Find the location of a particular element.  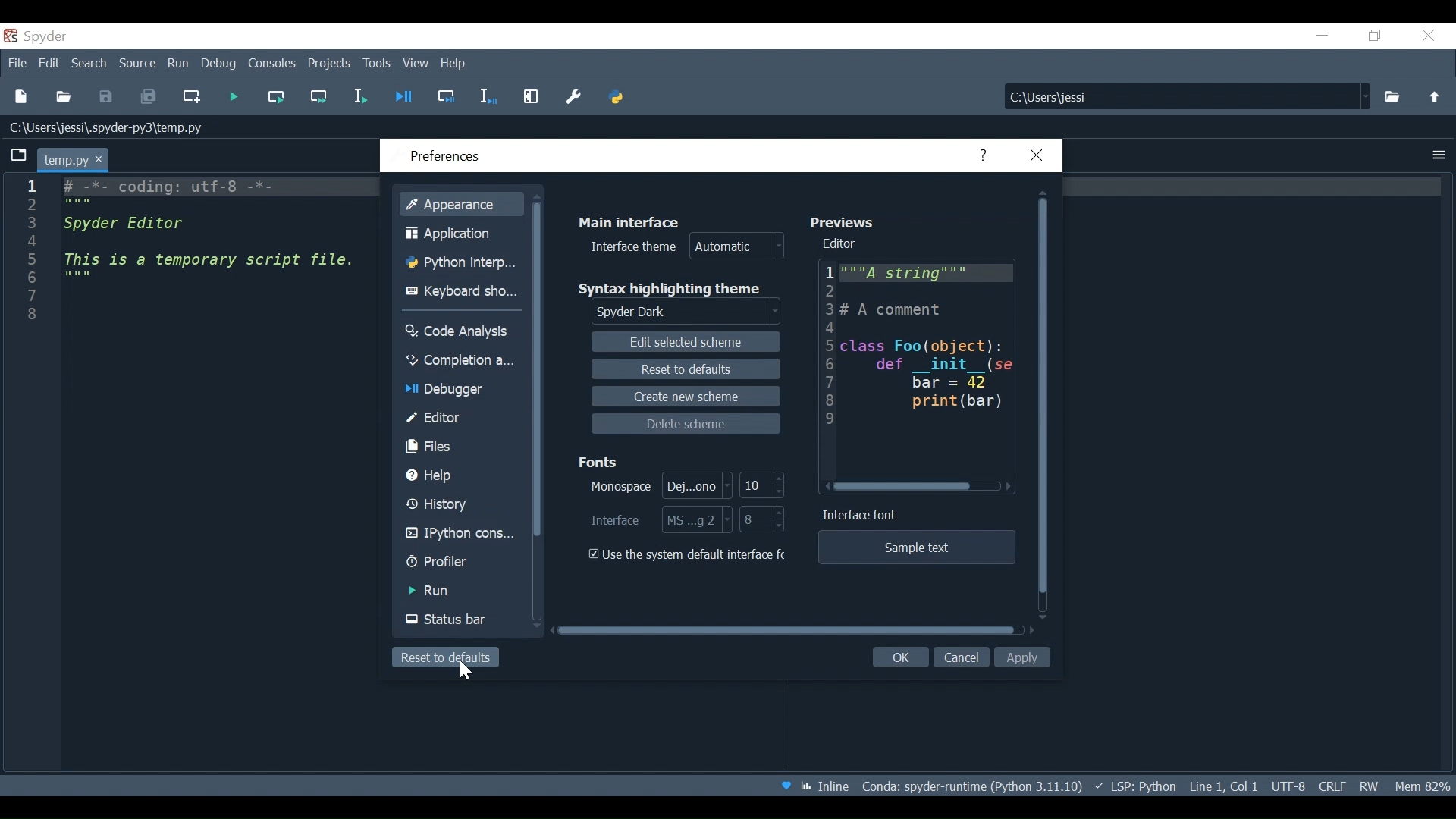

Cancel is located at coordinates (961, 655).